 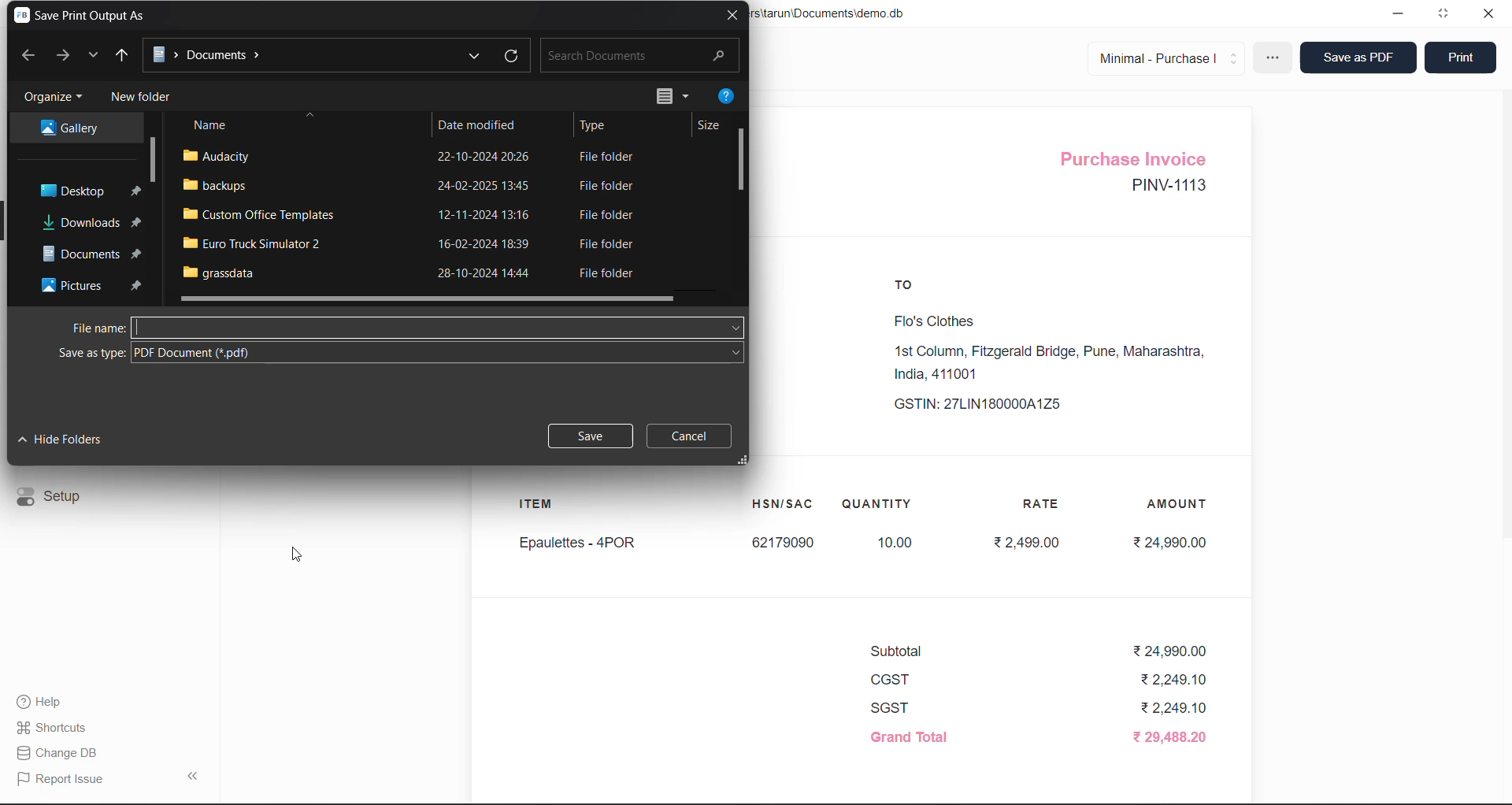 What do you see at coordinates (617, 243) in the screenshot?
I see `File folder` at bounding box center [617, 243].